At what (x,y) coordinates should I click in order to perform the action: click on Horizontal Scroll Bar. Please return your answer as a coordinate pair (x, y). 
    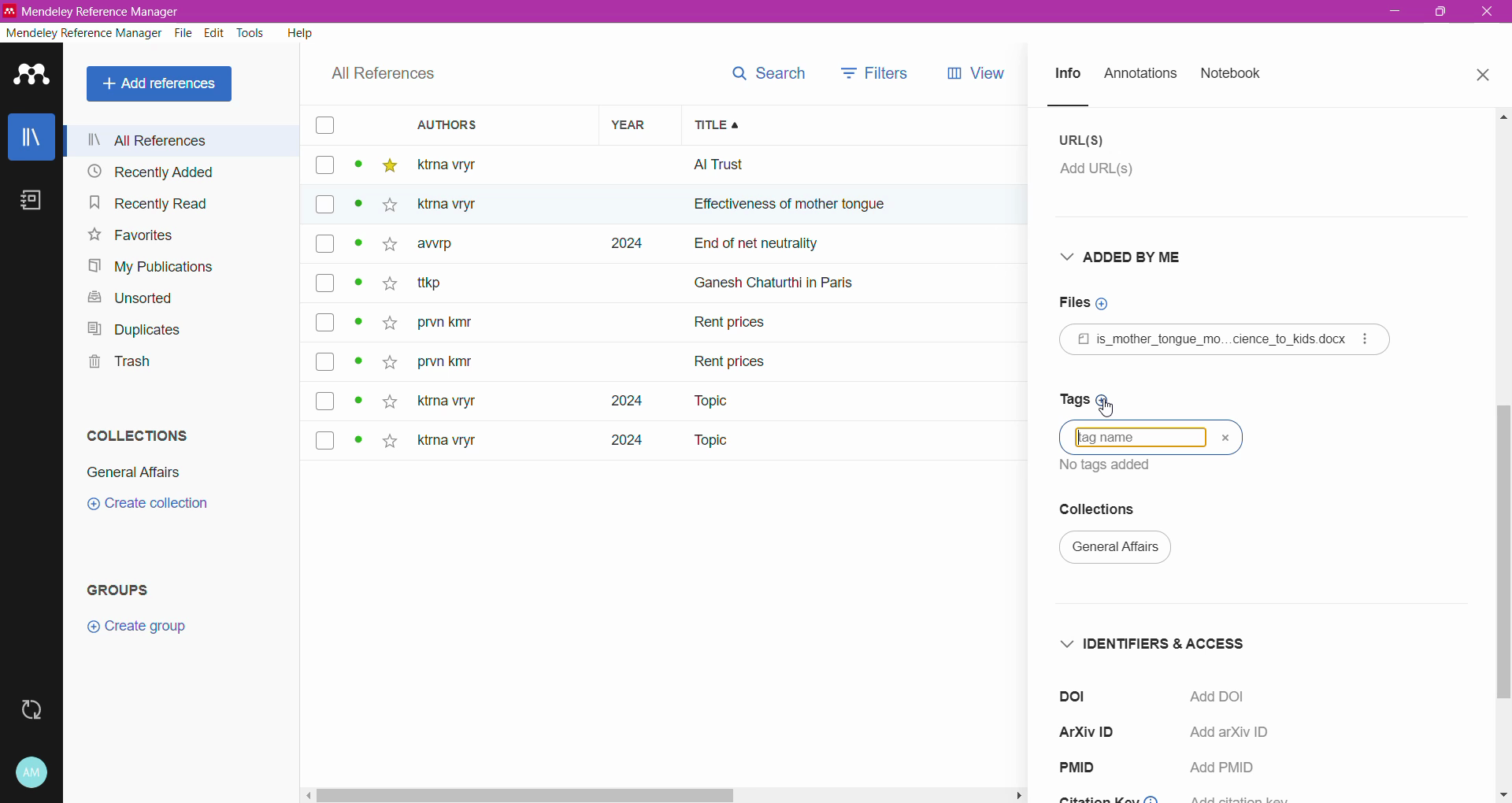
    Looking at the image, I should click on (662, 797).